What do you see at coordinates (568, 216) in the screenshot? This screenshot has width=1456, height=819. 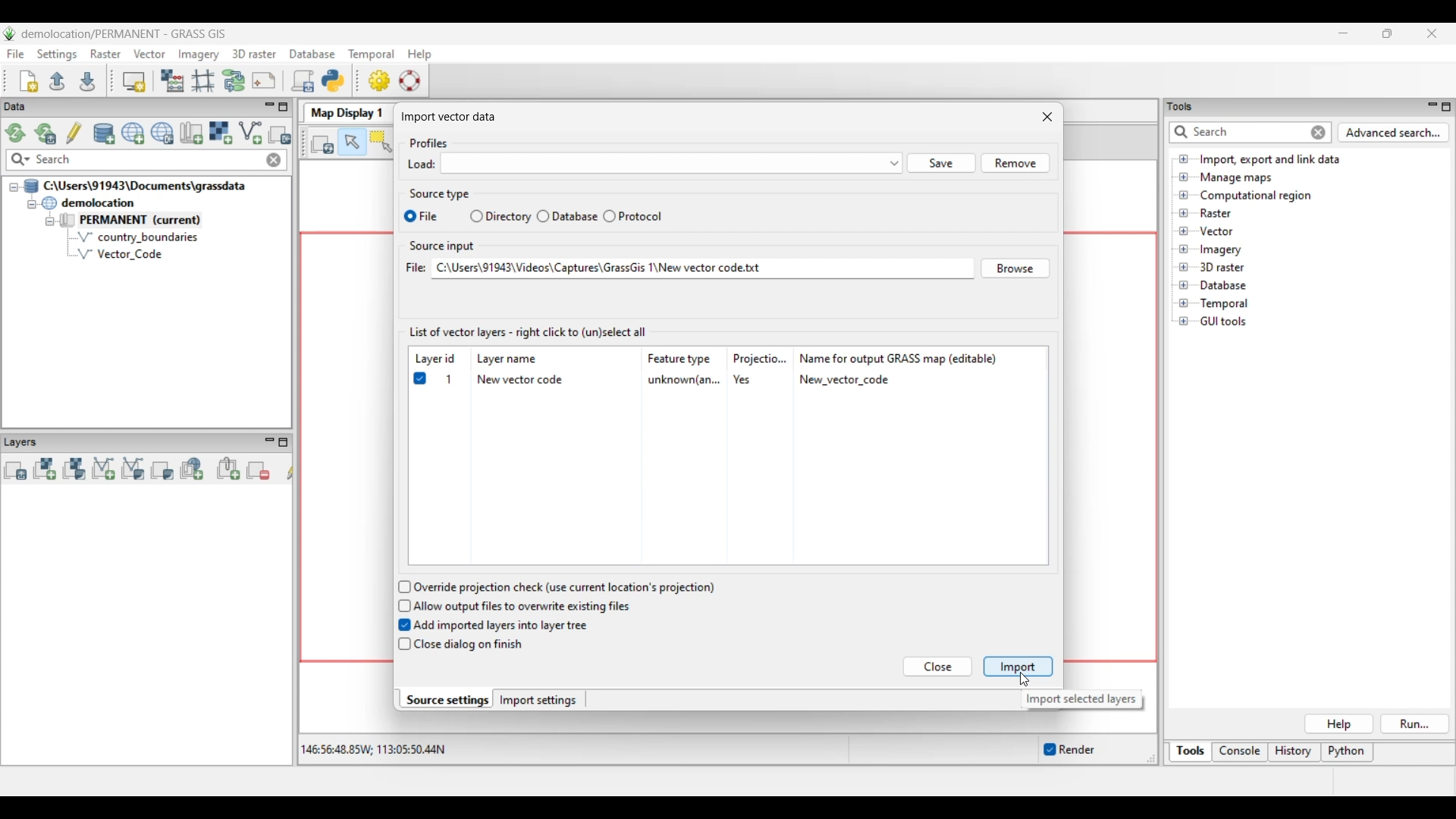 I see `Database` at bounding box center [568, 216].